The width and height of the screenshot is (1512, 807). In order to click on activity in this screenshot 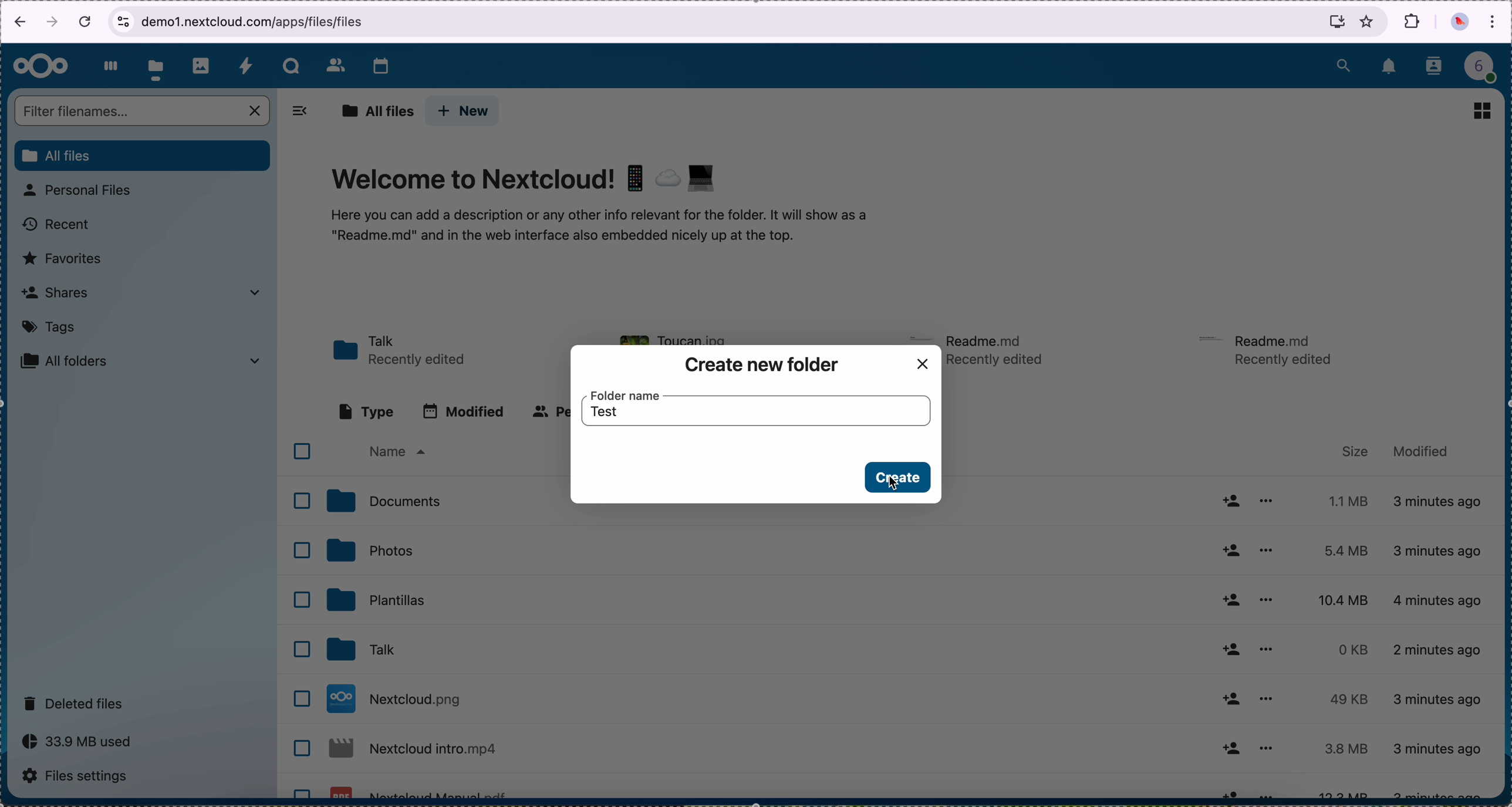, I will do `click(245, 65)`.